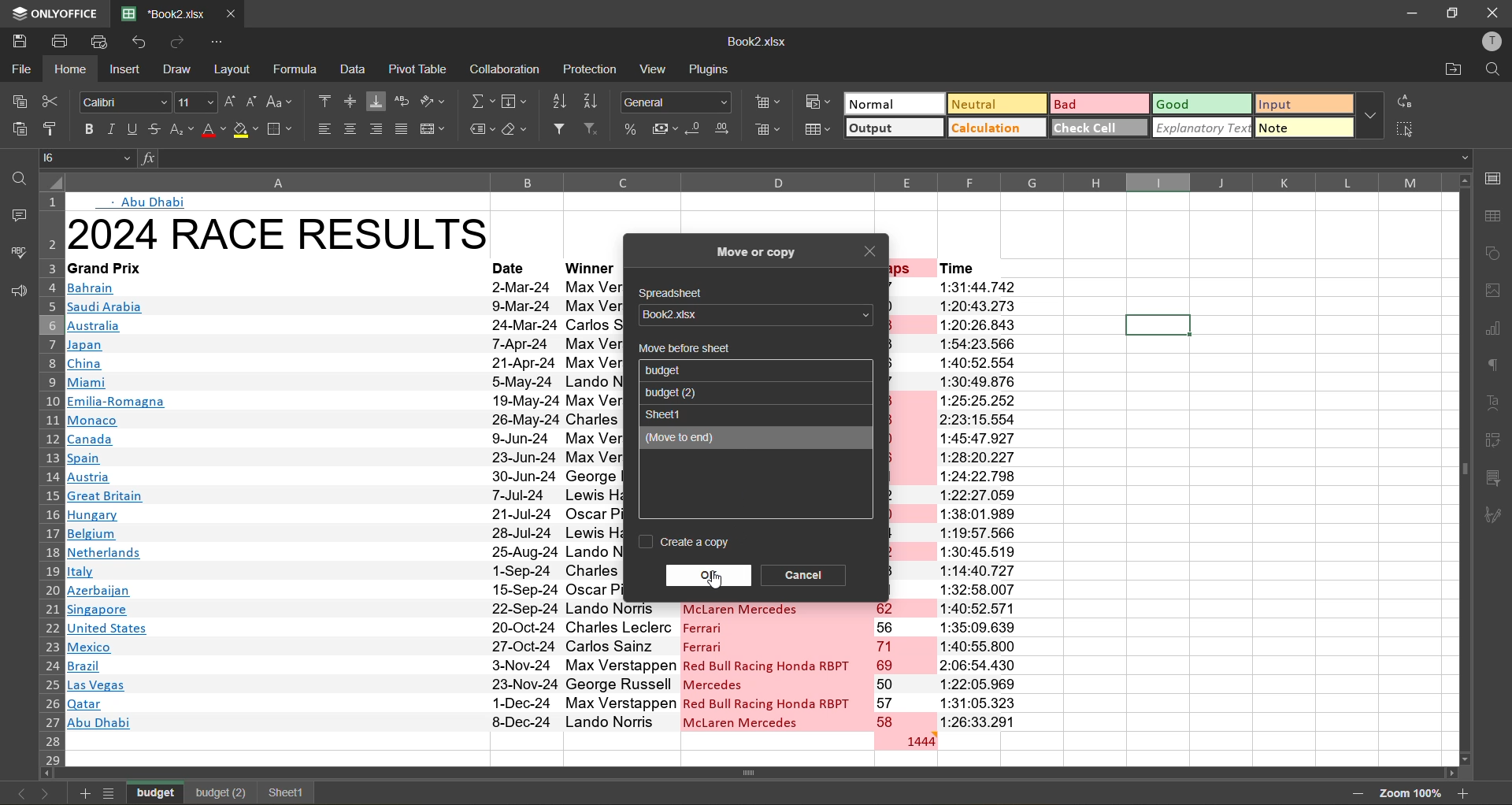 The width and height of the screenshot is (1512, 805). Describe the element at coordinates (632, 128) in the screenshot. I see `percent` at that location.